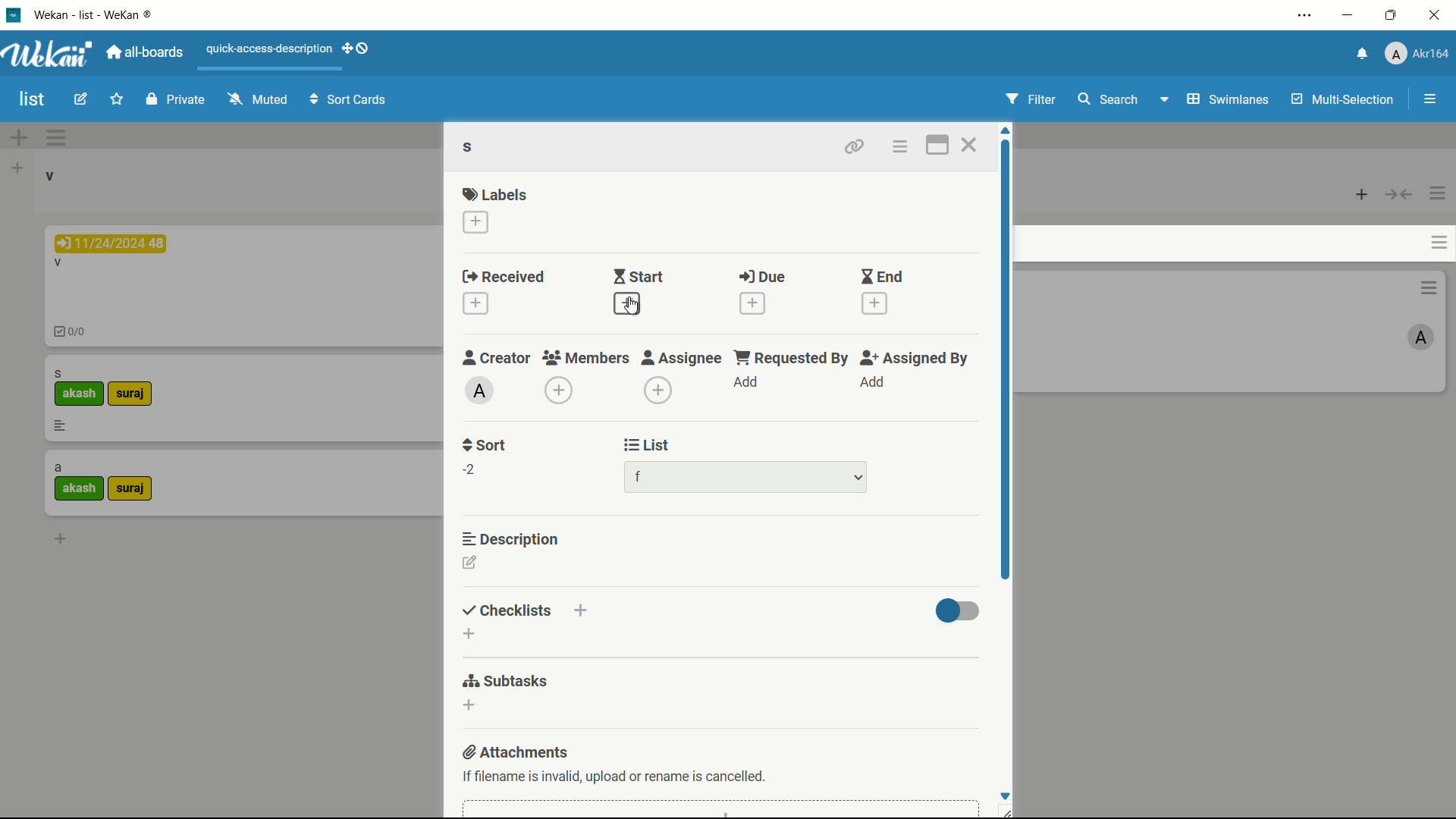  Describe the element at coordinates (358, 48) in the screenshot. I see `show desktop drag handles` at that location.